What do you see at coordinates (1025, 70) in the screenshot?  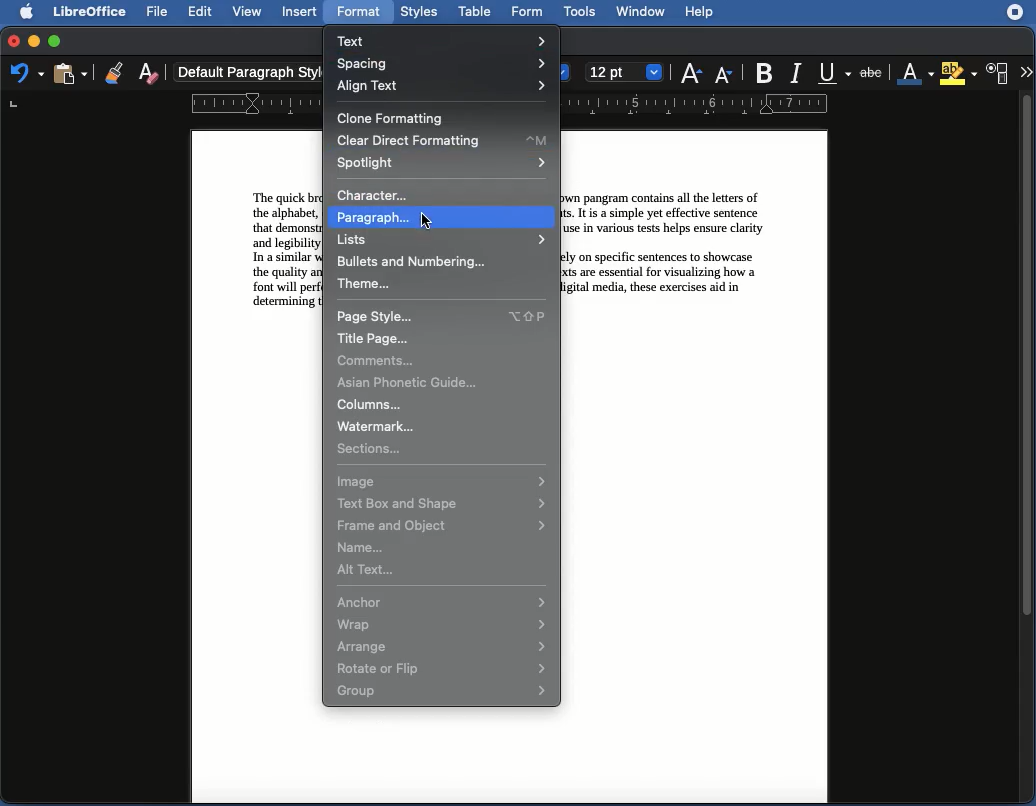 I see `More` at bounding box center [1025, 70].